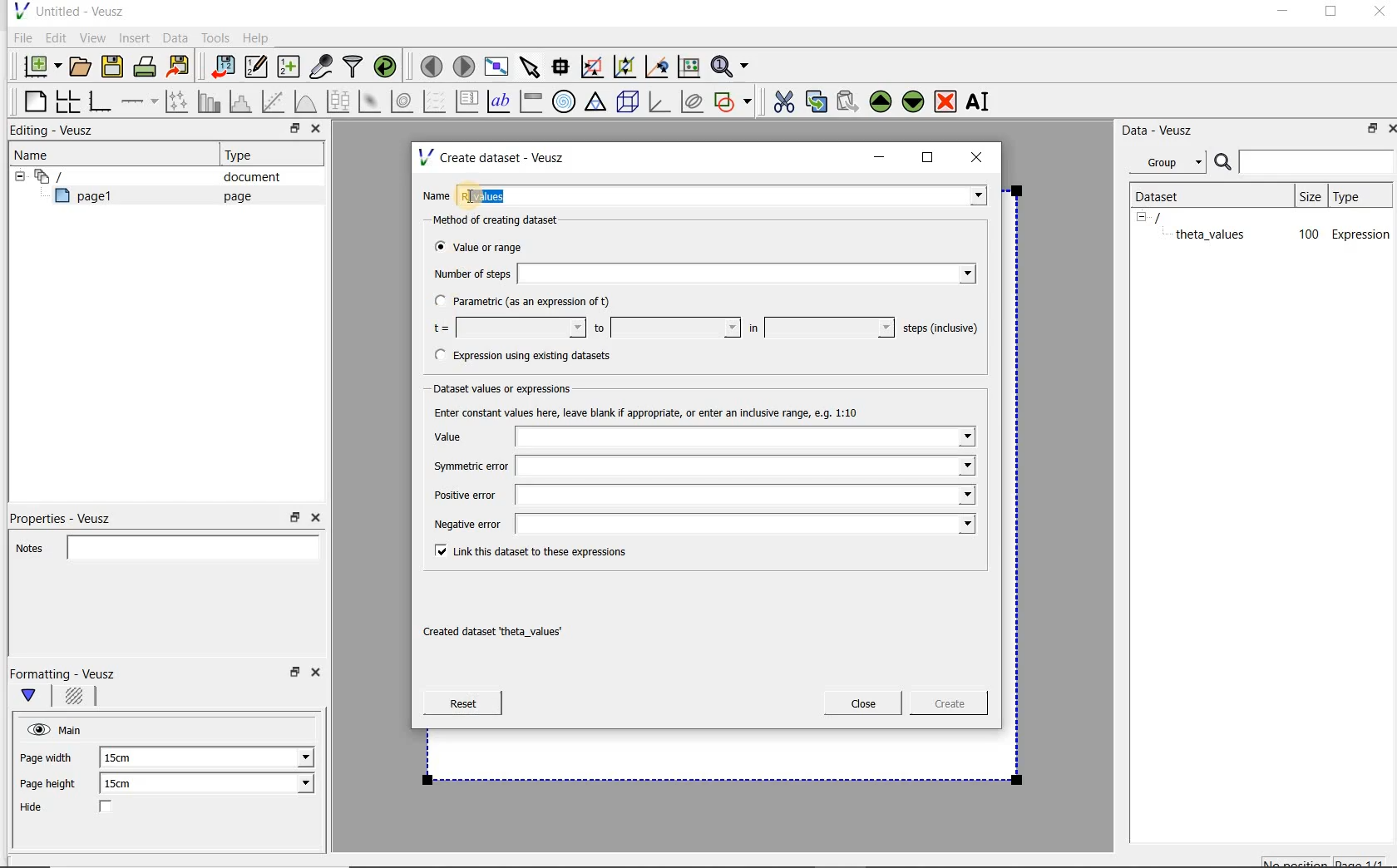 The width and height of the screenshot is (1397, 868). What do you see at coordinates (69, 515) in the screenshot?
I see `Properties - Veusz` at bounding box center [69, 515].